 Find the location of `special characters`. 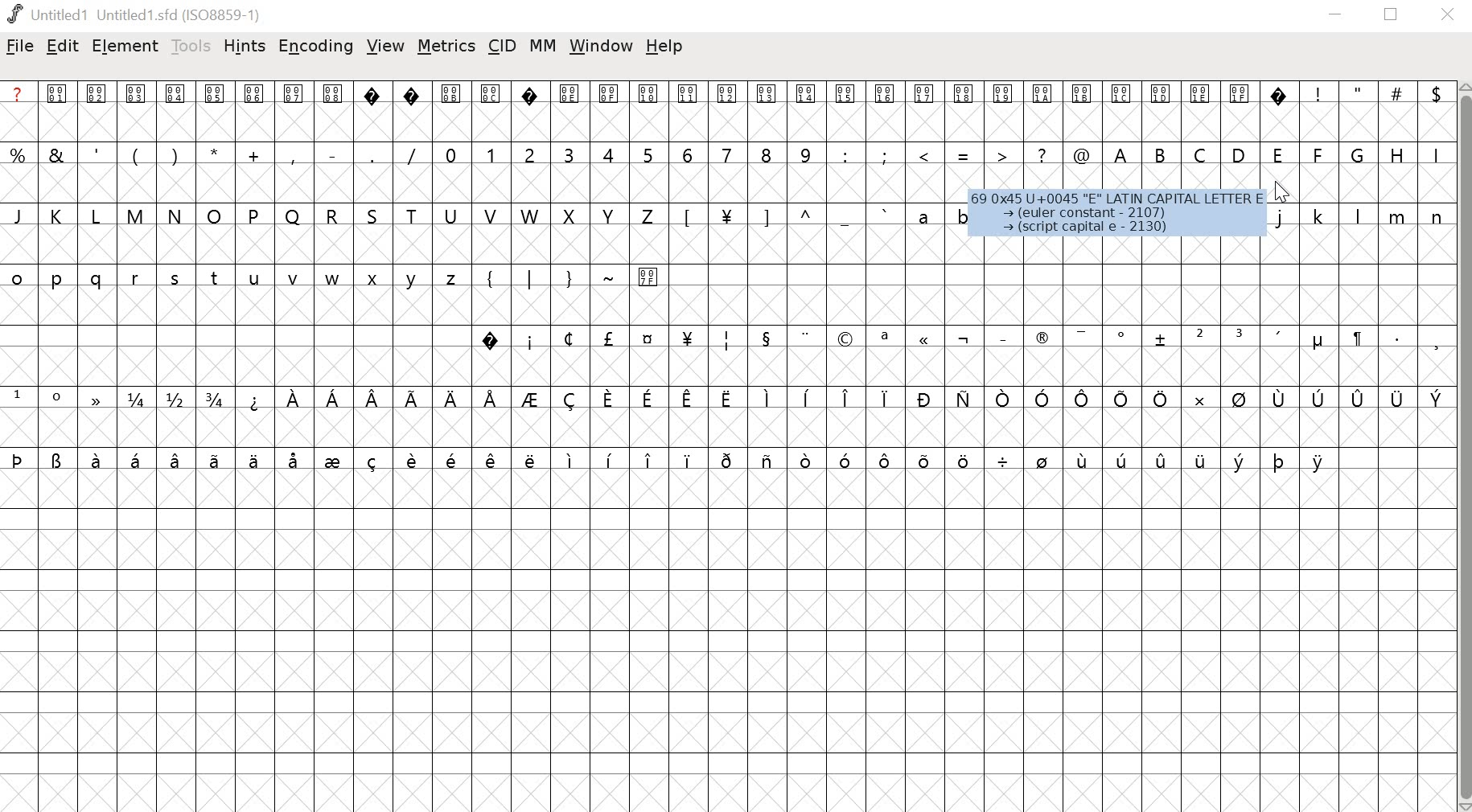

special characters is located at coordinates (670, 461).